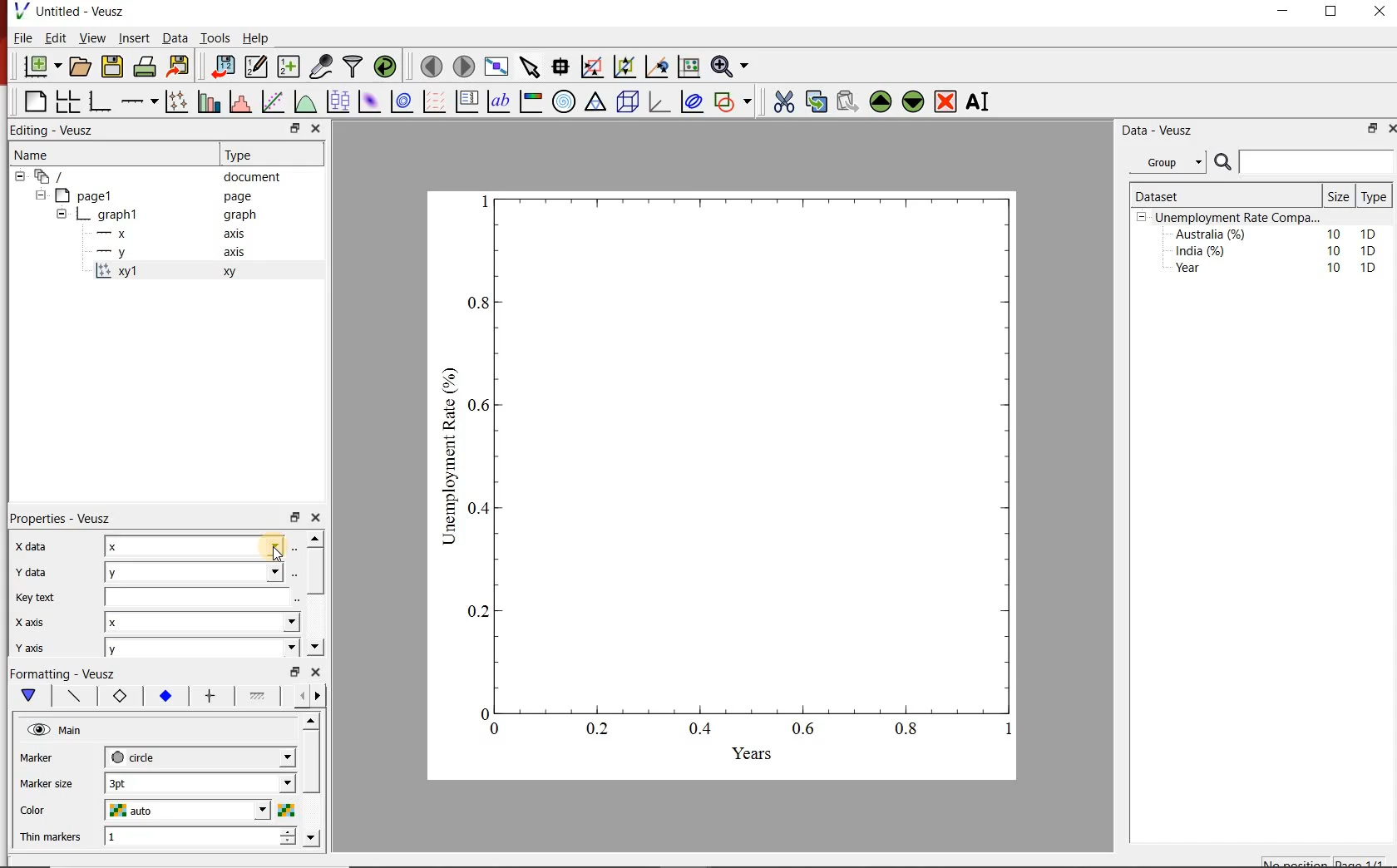 This screenshot has height=868, width=1397. What do you see at coordinates (1173, 131) in the screenshot?
I see `Data - Veusz` at bounding box center [1173, 131].